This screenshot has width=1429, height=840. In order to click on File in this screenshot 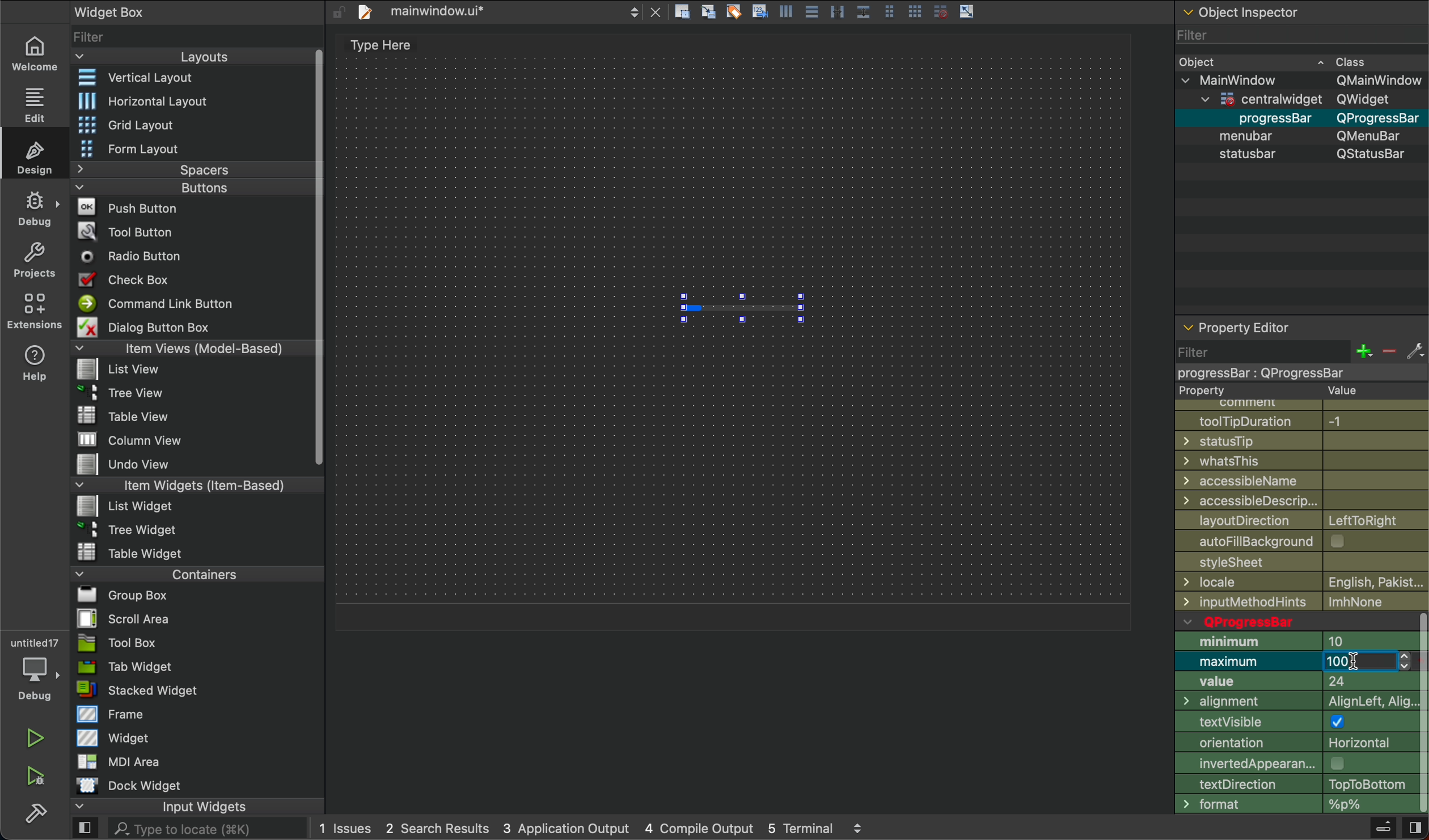, I will do `click(118, 618)`.